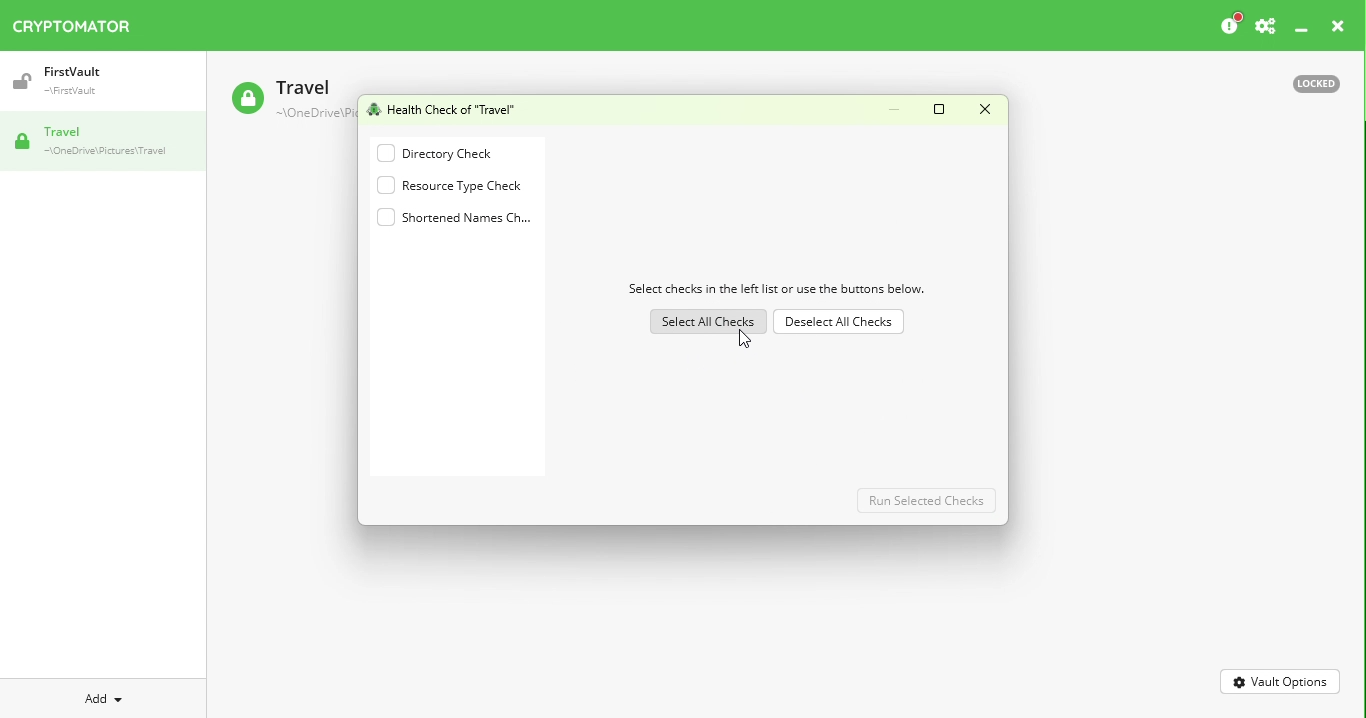  I want to click on Maximize, so click(940, 109).